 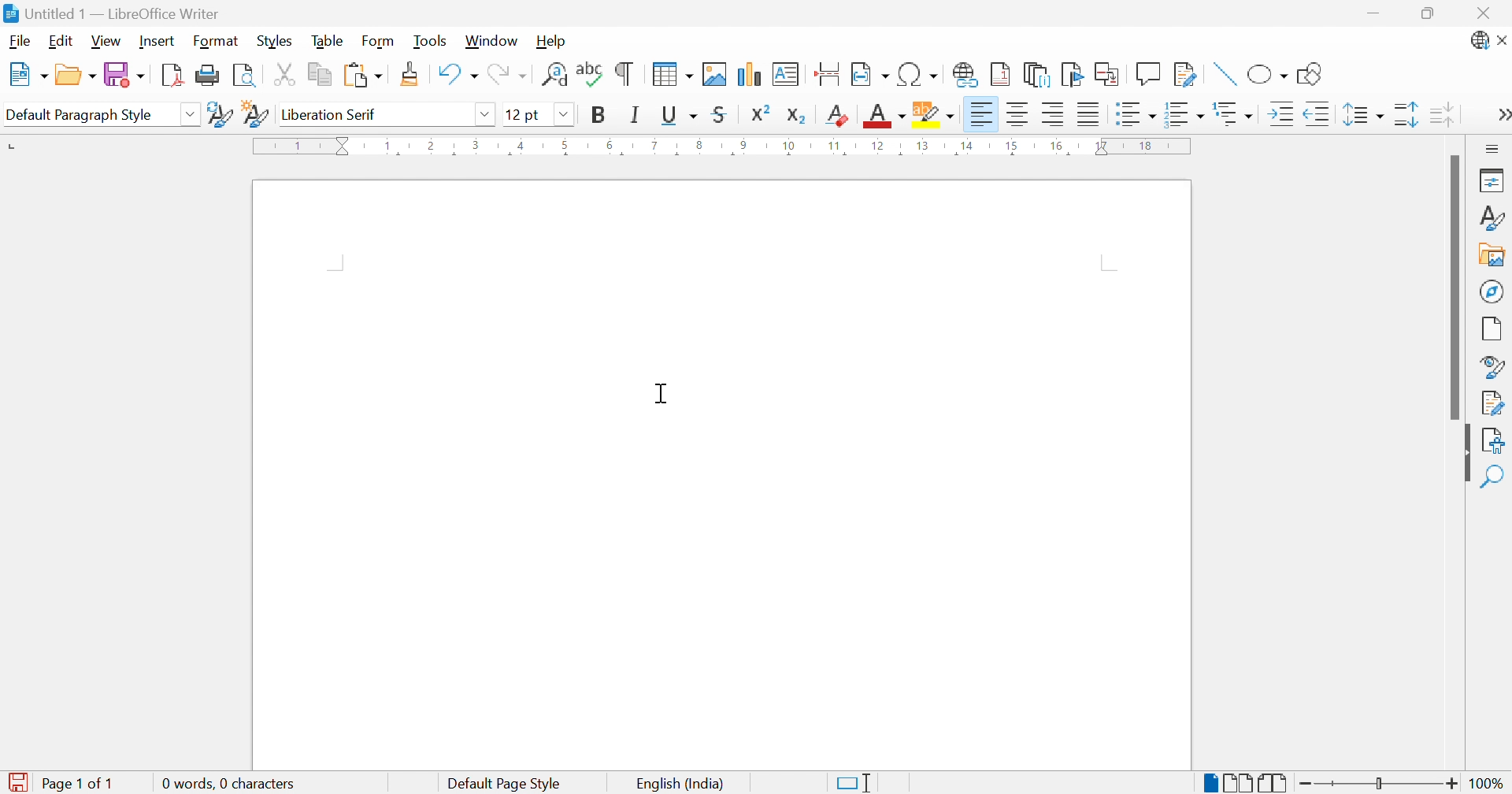 What do you see at coordinates (122, 73) in the screenshot?
I see `Save` at bounding box center [122, 73].